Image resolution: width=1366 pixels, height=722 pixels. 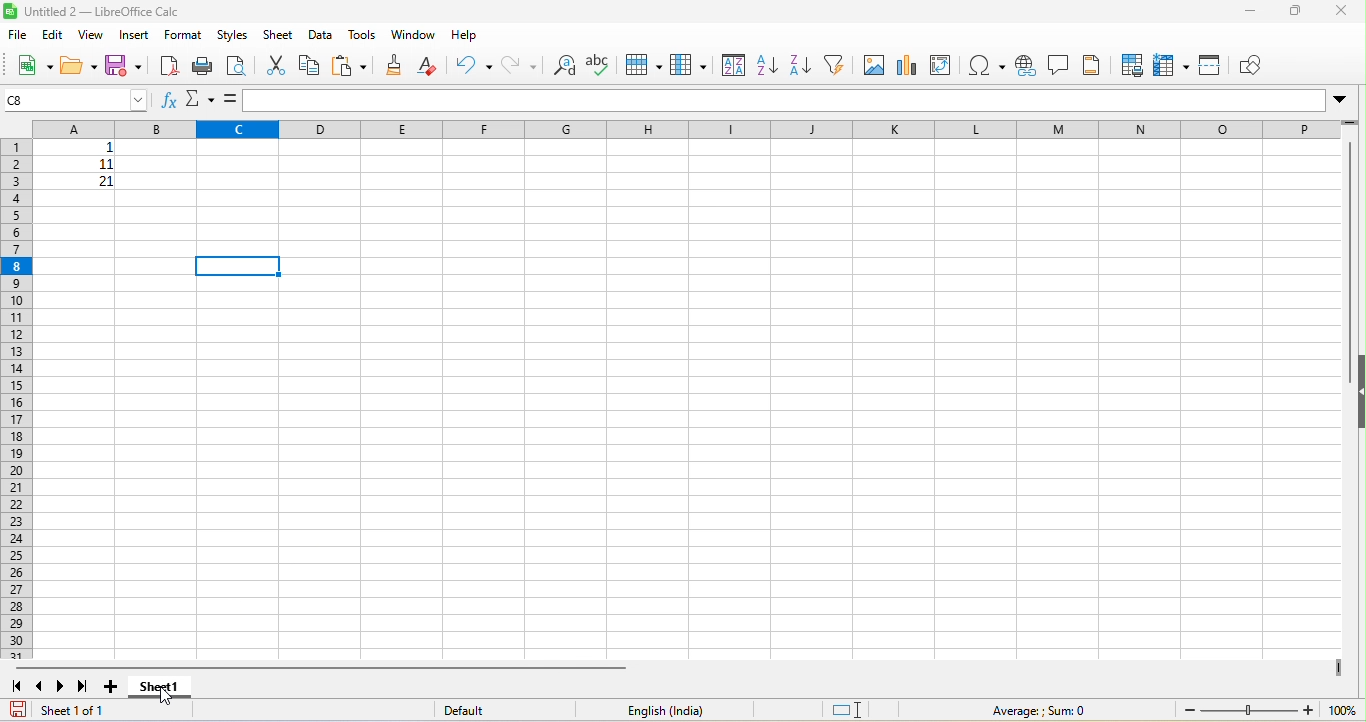 What do you see at coordinates (319, 35) in the screenshot?
I see `data` at bounding box center [319, 35].